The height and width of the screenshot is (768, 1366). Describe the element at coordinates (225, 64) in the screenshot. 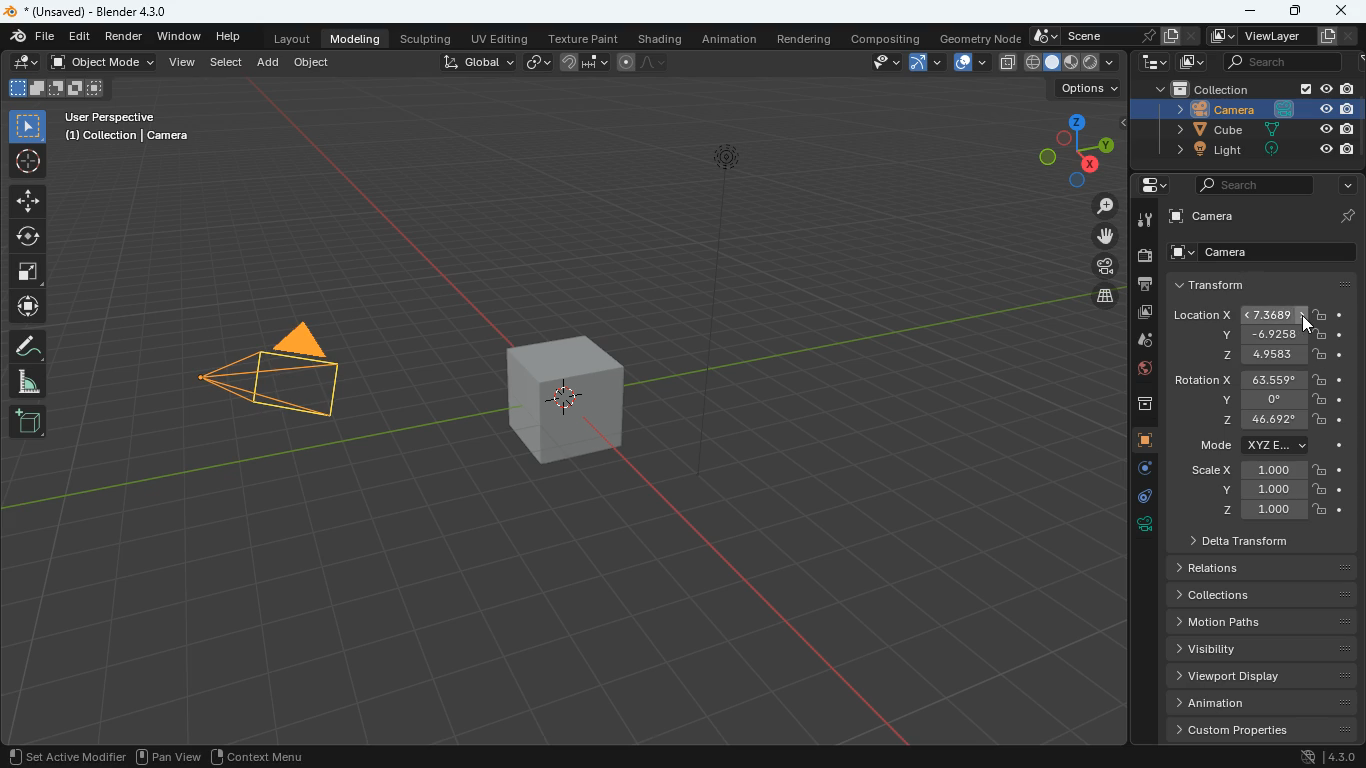

I see `select` at that location.